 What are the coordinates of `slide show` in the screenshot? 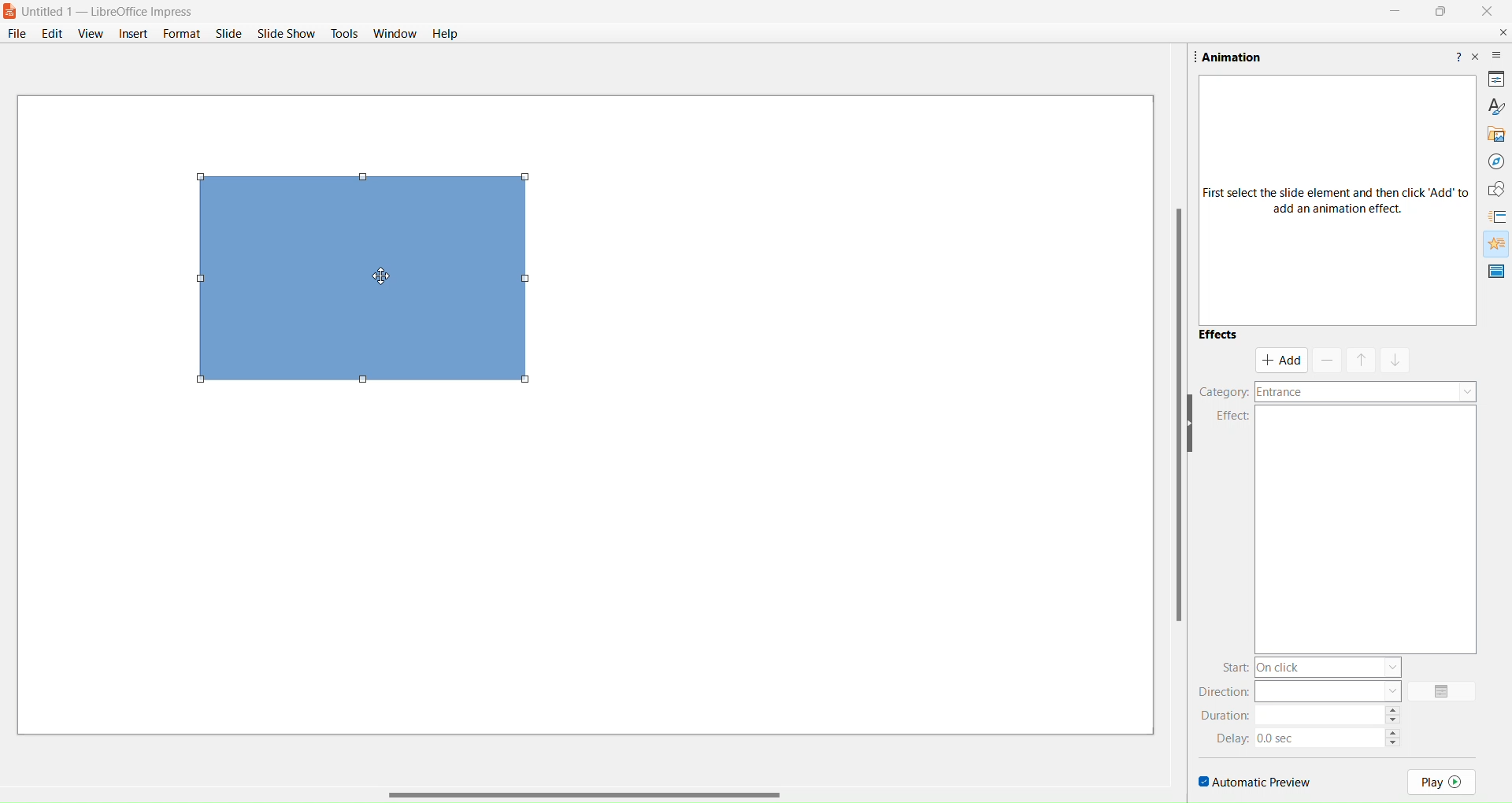 It's located at (287, 33).